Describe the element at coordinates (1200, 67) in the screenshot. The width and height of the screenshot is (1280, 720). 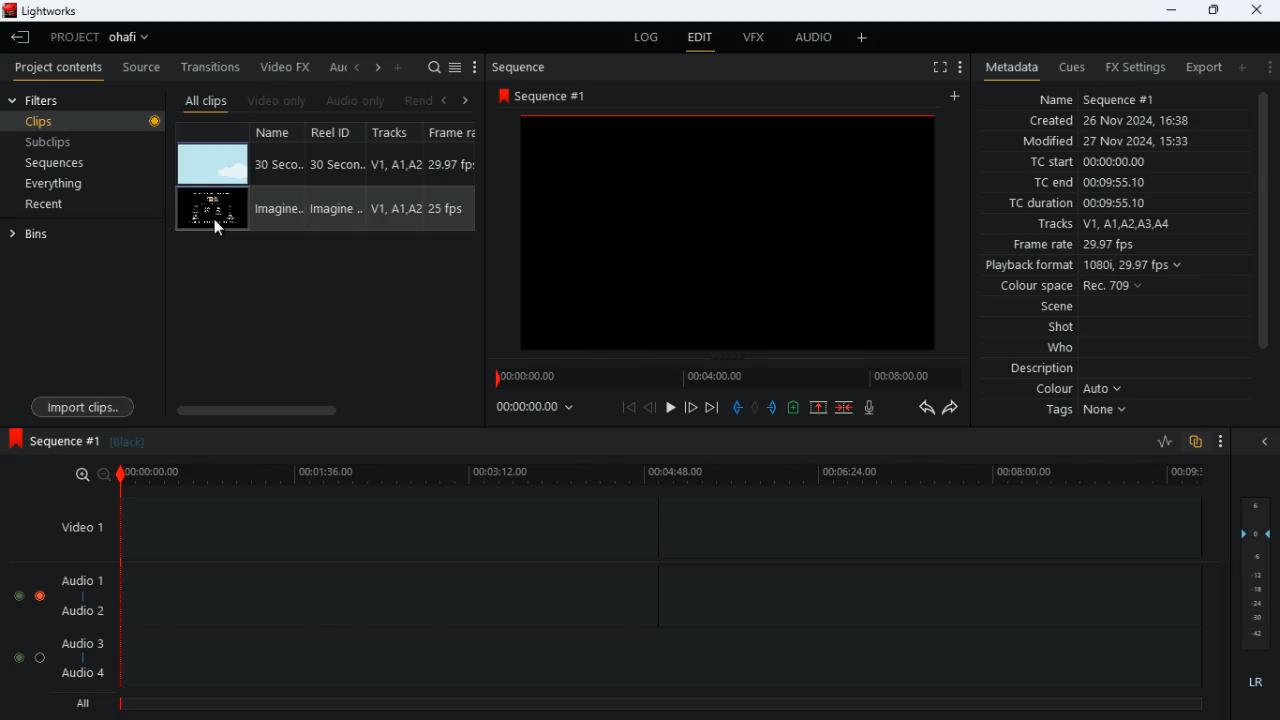
I see `export` at that location.